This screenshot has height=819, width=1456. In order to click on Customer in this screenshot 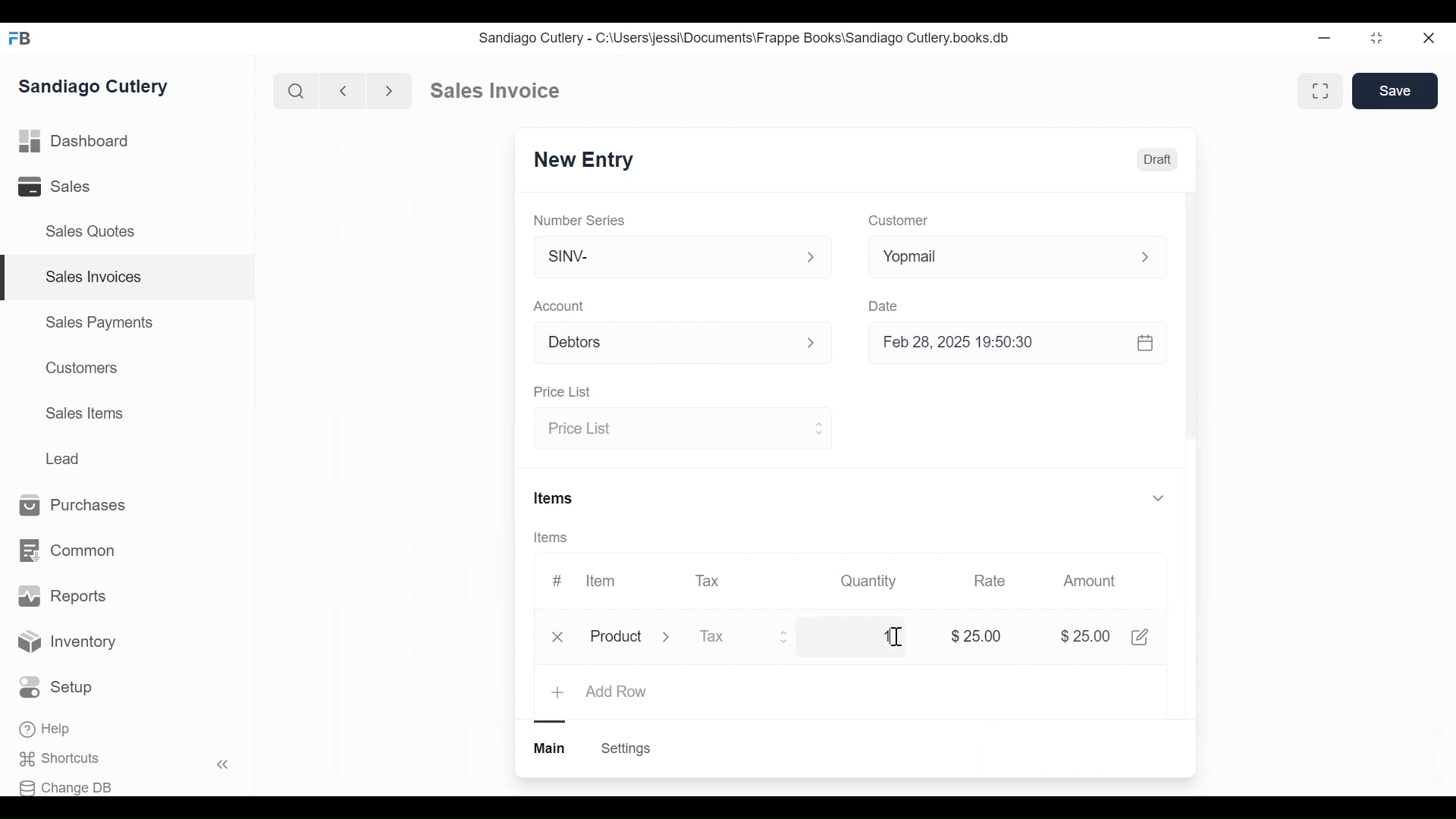, I will do `click(896, 221)`.